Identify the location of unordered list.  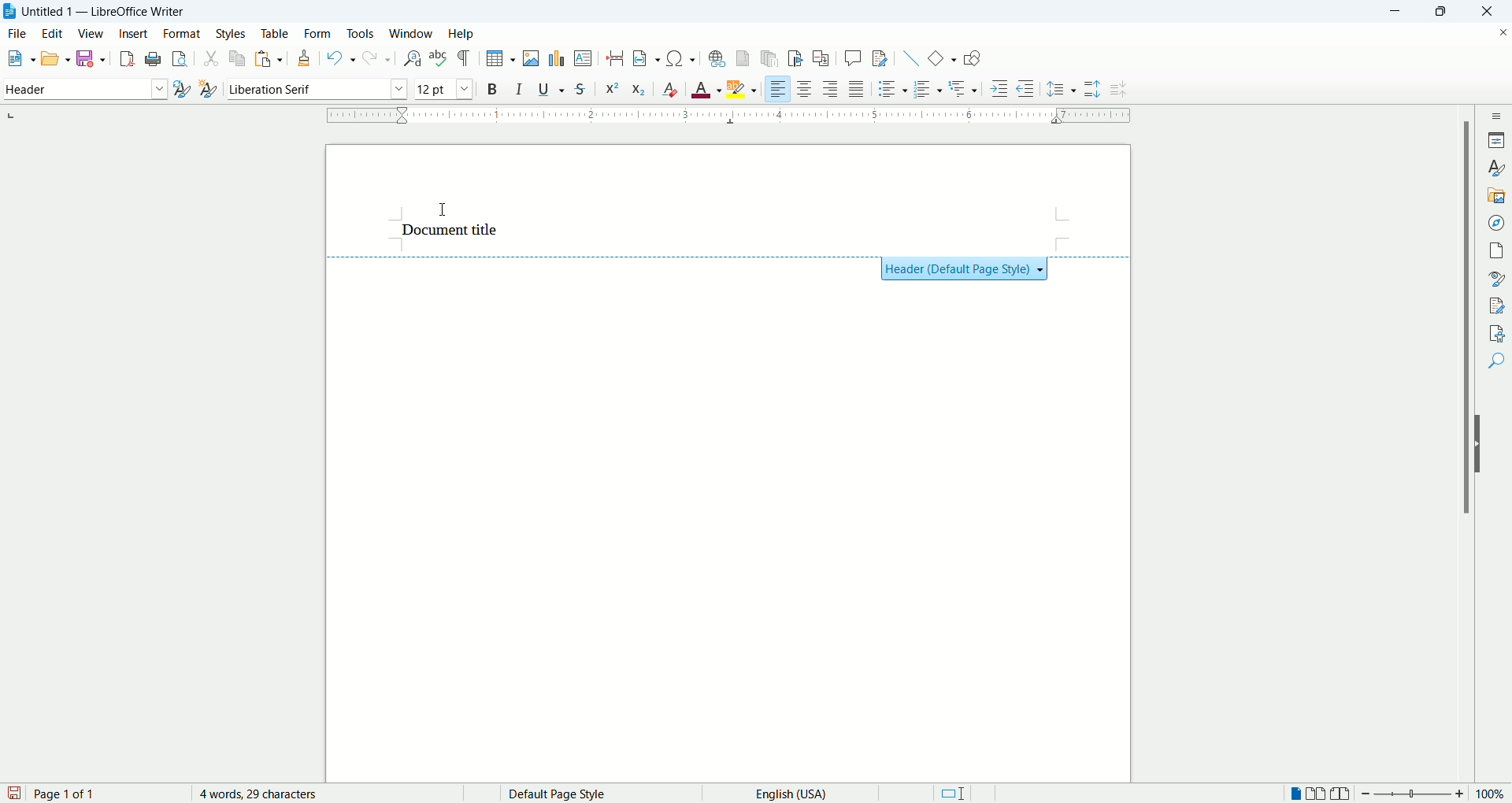
(892, 91).